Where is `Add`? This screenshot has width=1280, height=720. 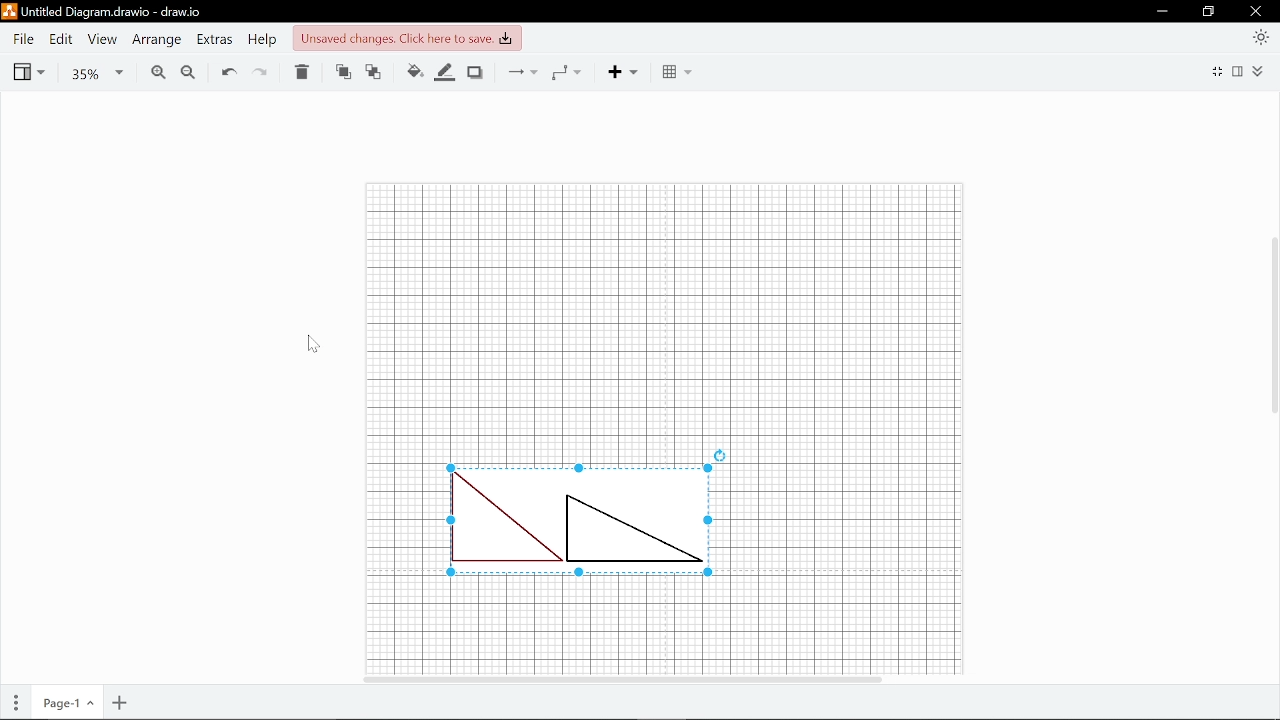
Add is located at coordinates (626, 72).